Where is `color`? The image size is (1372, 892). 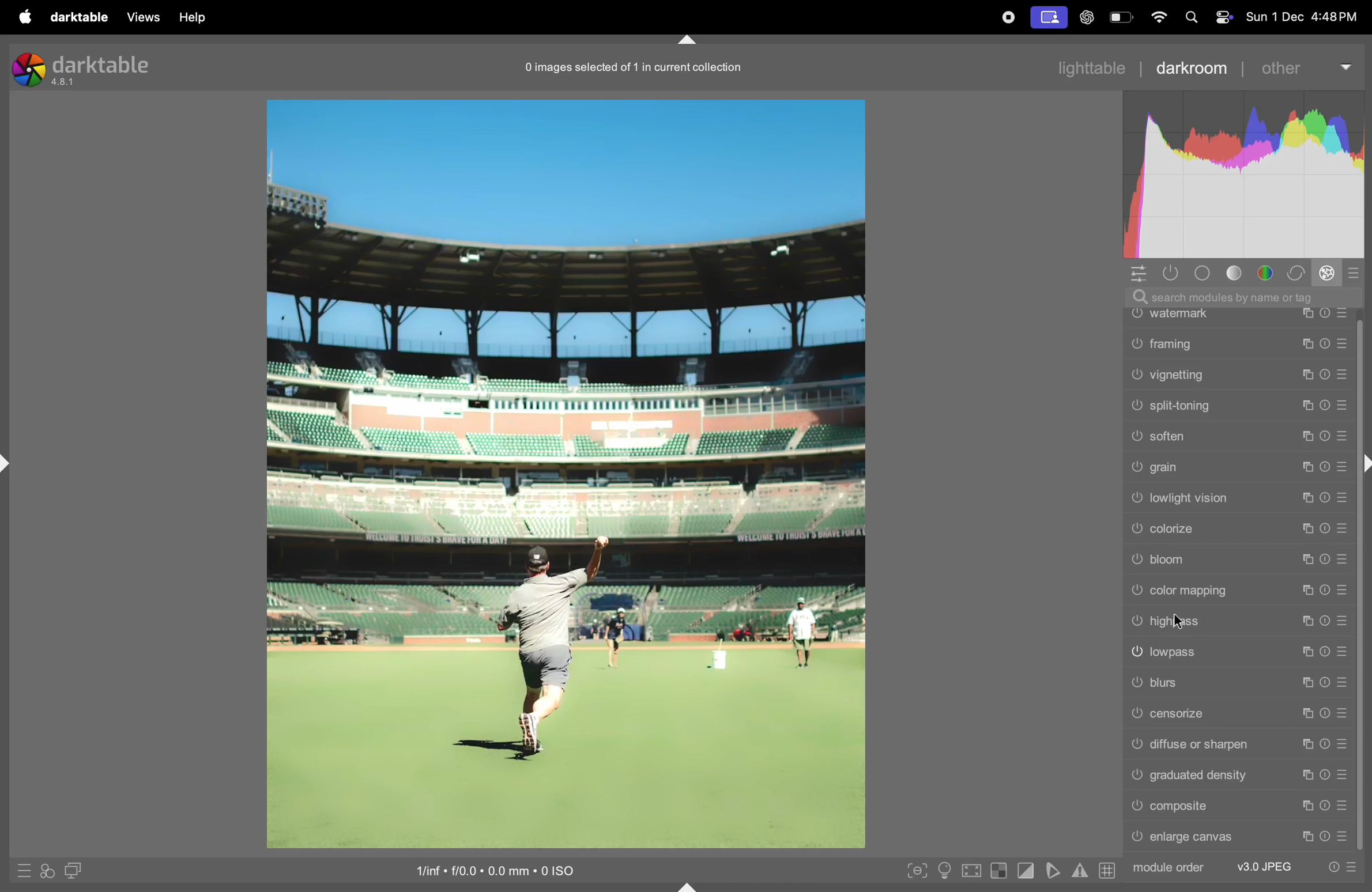 color is located at coordinates (1269, 272).